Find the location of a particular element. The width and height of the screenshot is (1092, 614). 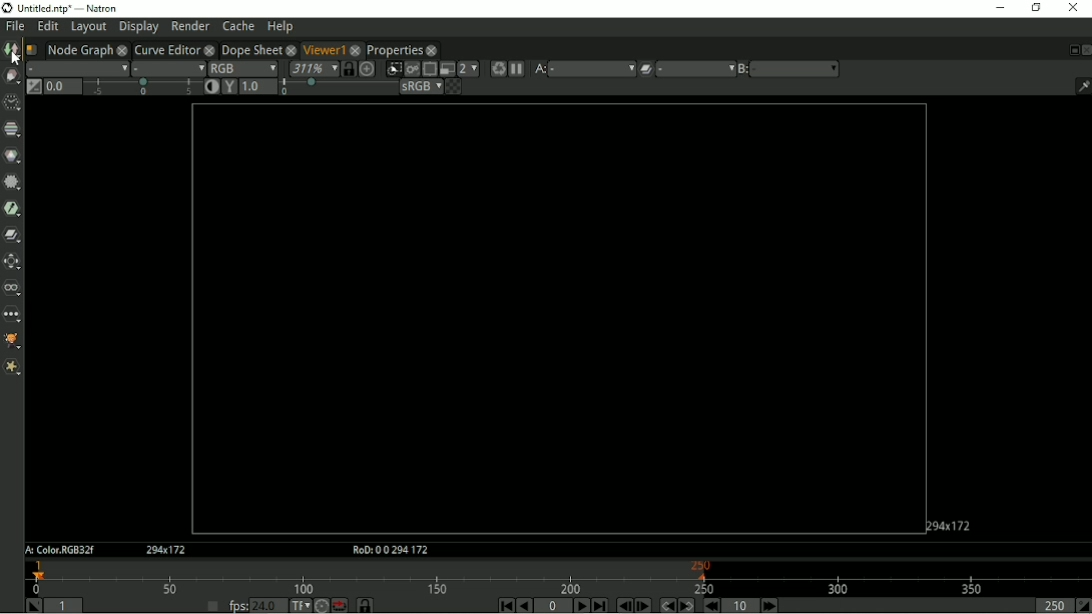

Viewer gamma correction is located at coordinates (229, 86).